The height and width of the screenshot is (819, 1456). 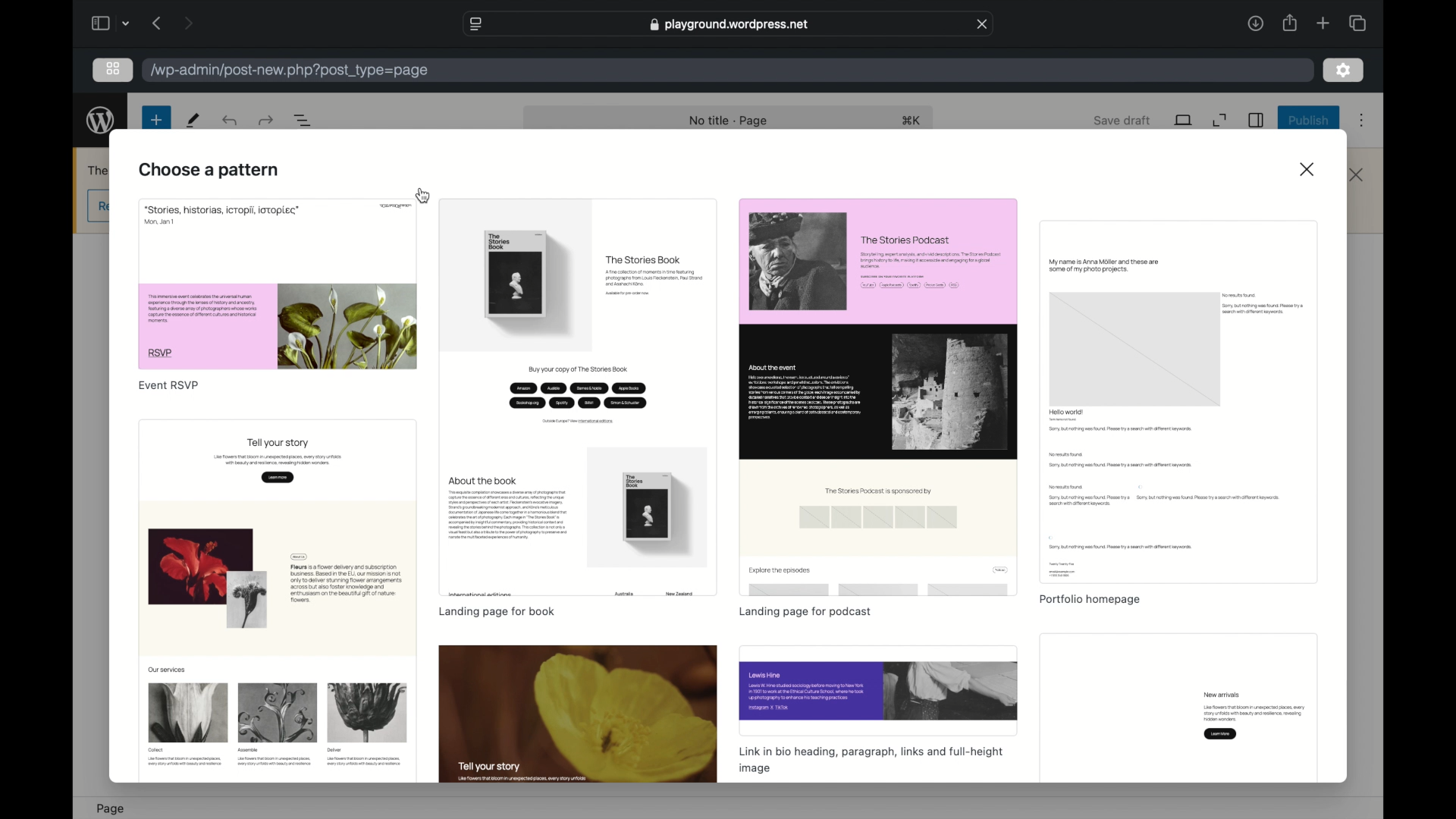 What do you see at coordinates (1090, 600) in the screenshot?
I see `portfolio homepage` at bounding box center [1090, 600].